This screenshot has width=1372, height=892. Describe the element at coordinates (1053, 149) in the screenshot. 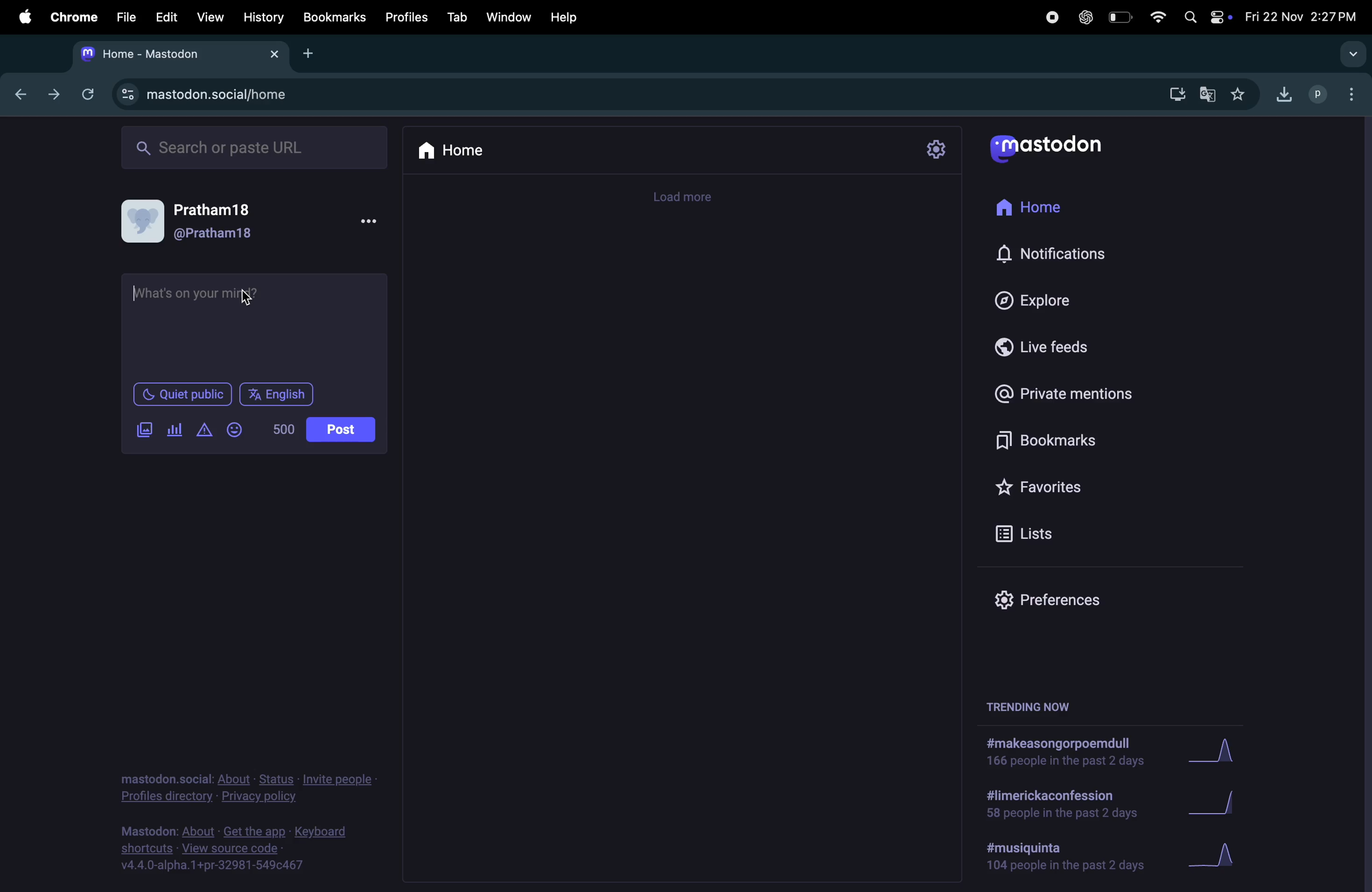

I see `mastodon` at that location.